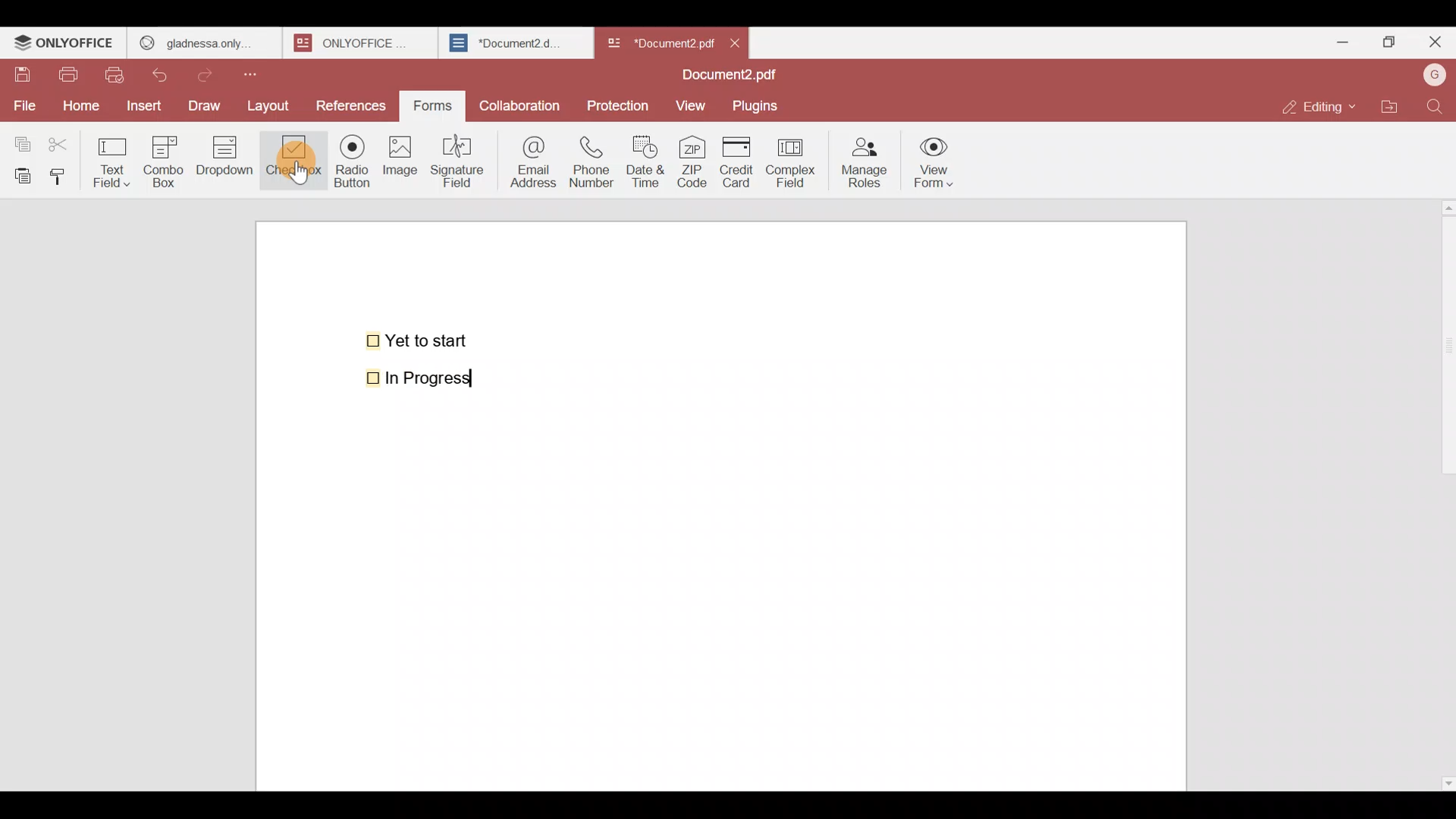 The height and width of the screenshot is (819, 1456). What do you see at coordinates (275, 104) in the screenshot?
I see `Layout` at bounding box center [275, 104].